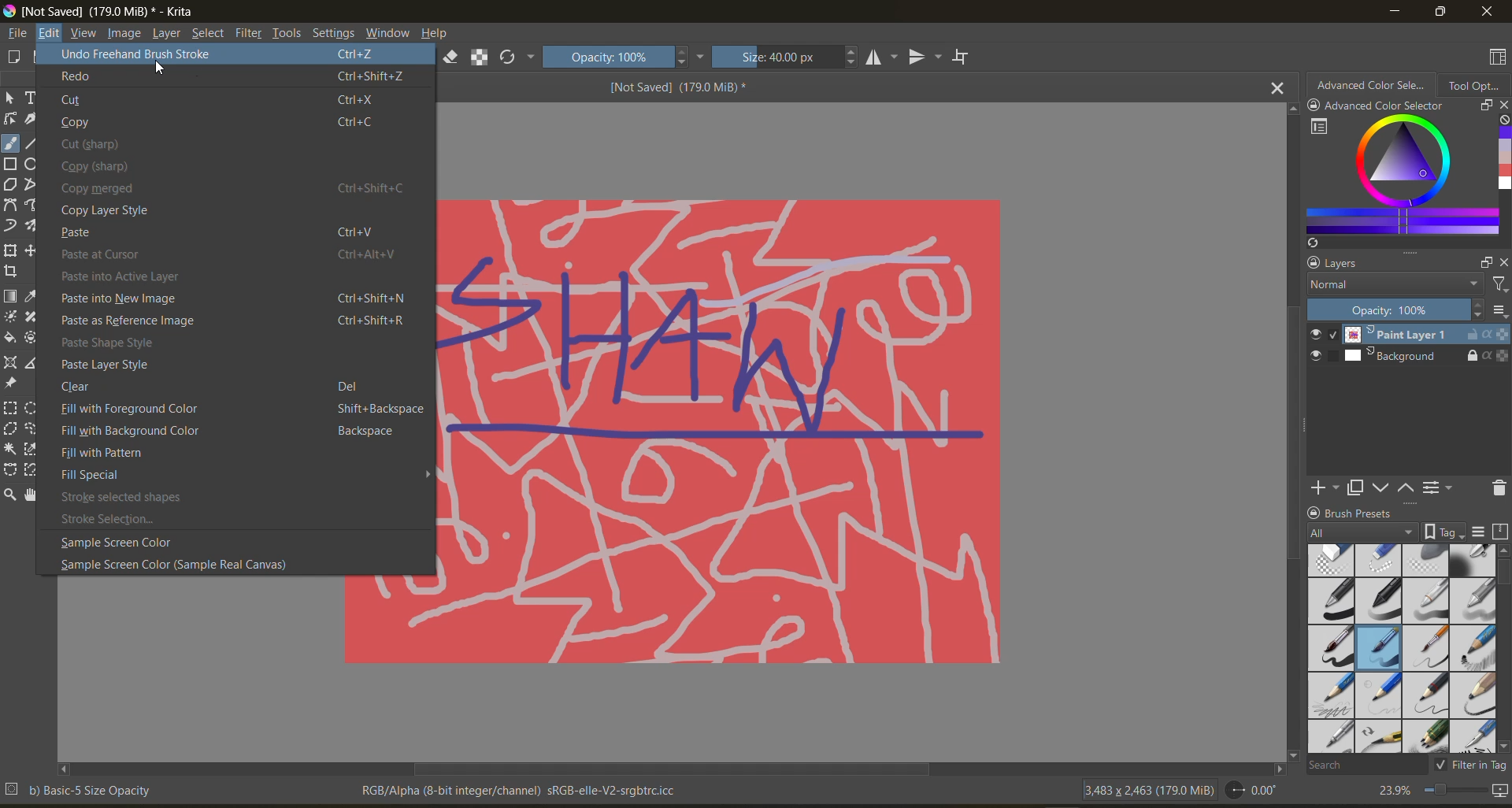  I want to click on Print Layer 1, so click(1425, 334).